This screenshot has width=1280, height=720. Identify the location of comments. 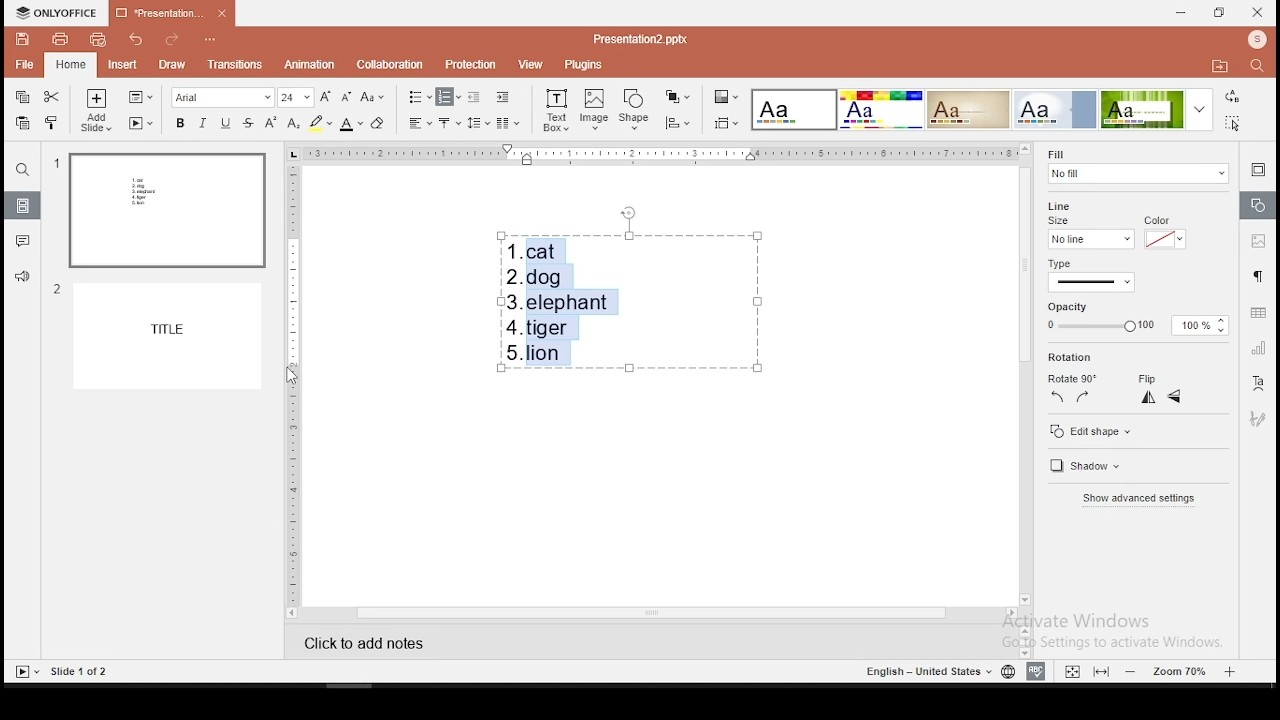
(23, 244).